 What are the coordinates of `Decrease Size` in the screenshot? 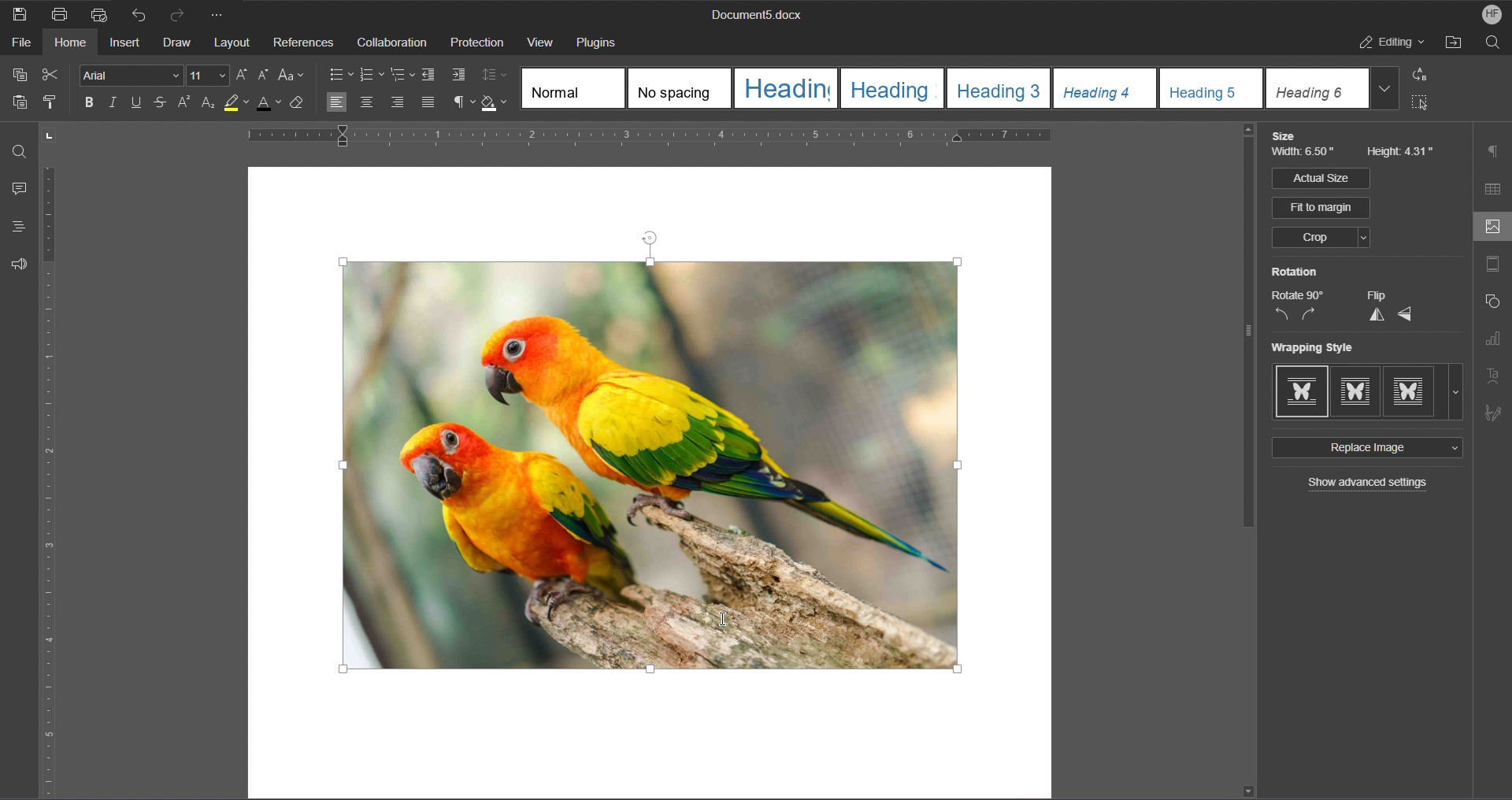 It's located at (266, 76).